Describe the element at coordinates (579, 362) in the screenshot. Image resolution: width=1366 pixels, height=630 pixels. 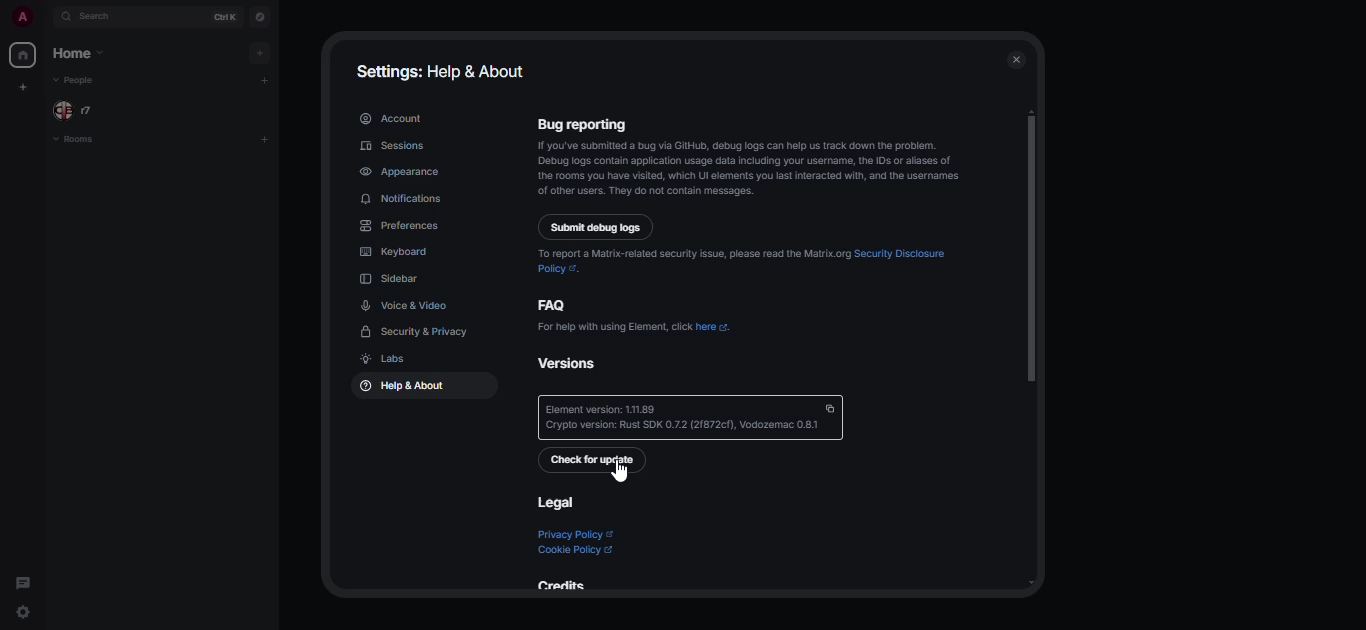
I see `versions` at that location.